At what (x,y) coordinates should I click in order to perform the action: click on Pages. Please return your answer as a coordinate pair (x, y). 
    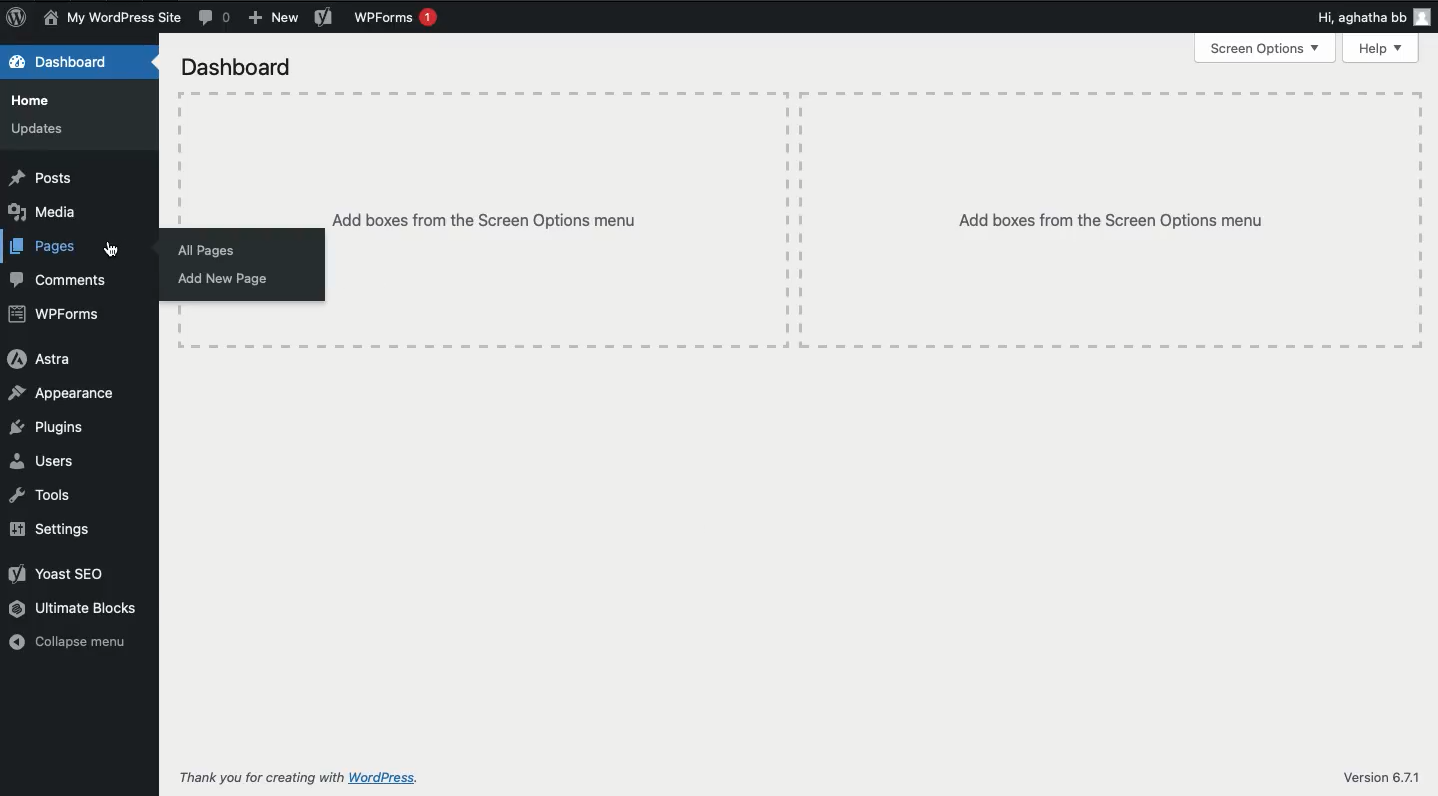
    Looking at the image, I should click on (44, 247).